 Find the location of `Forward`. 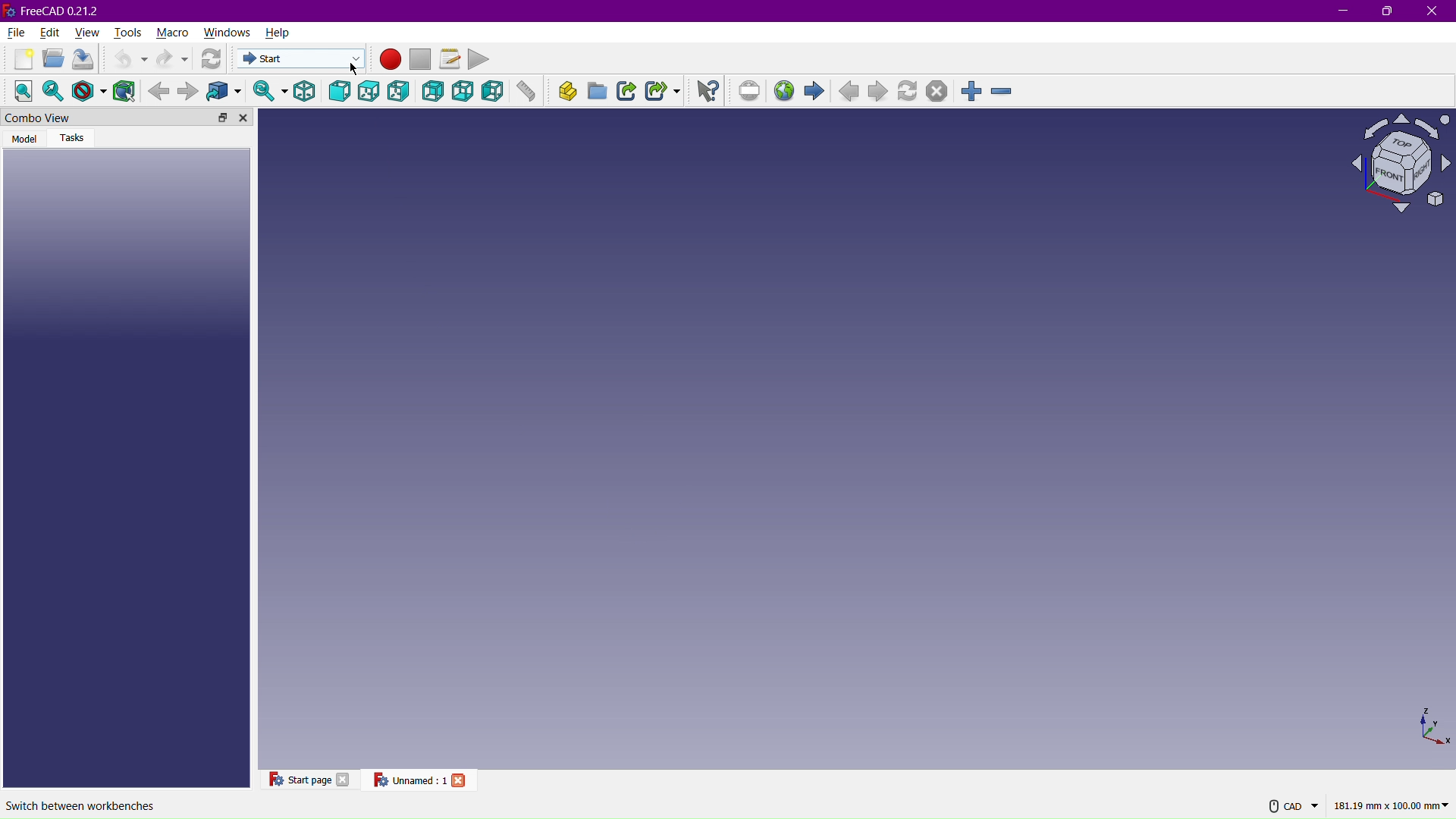

Forward is located at coordinates (189, 89).